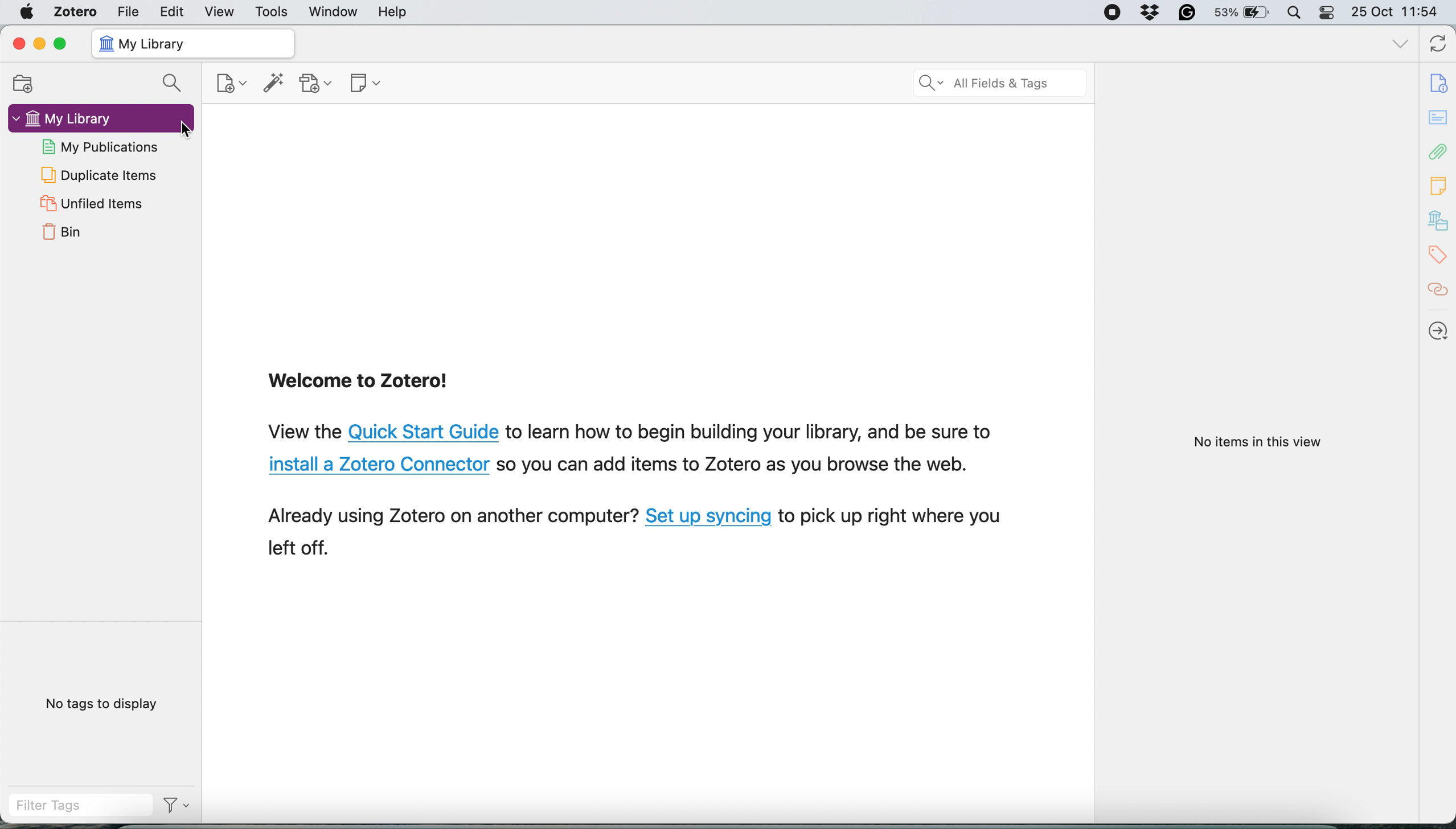  Describe the element at coordinates (1438, 117) in the screenshot. I see `notes` at that location.